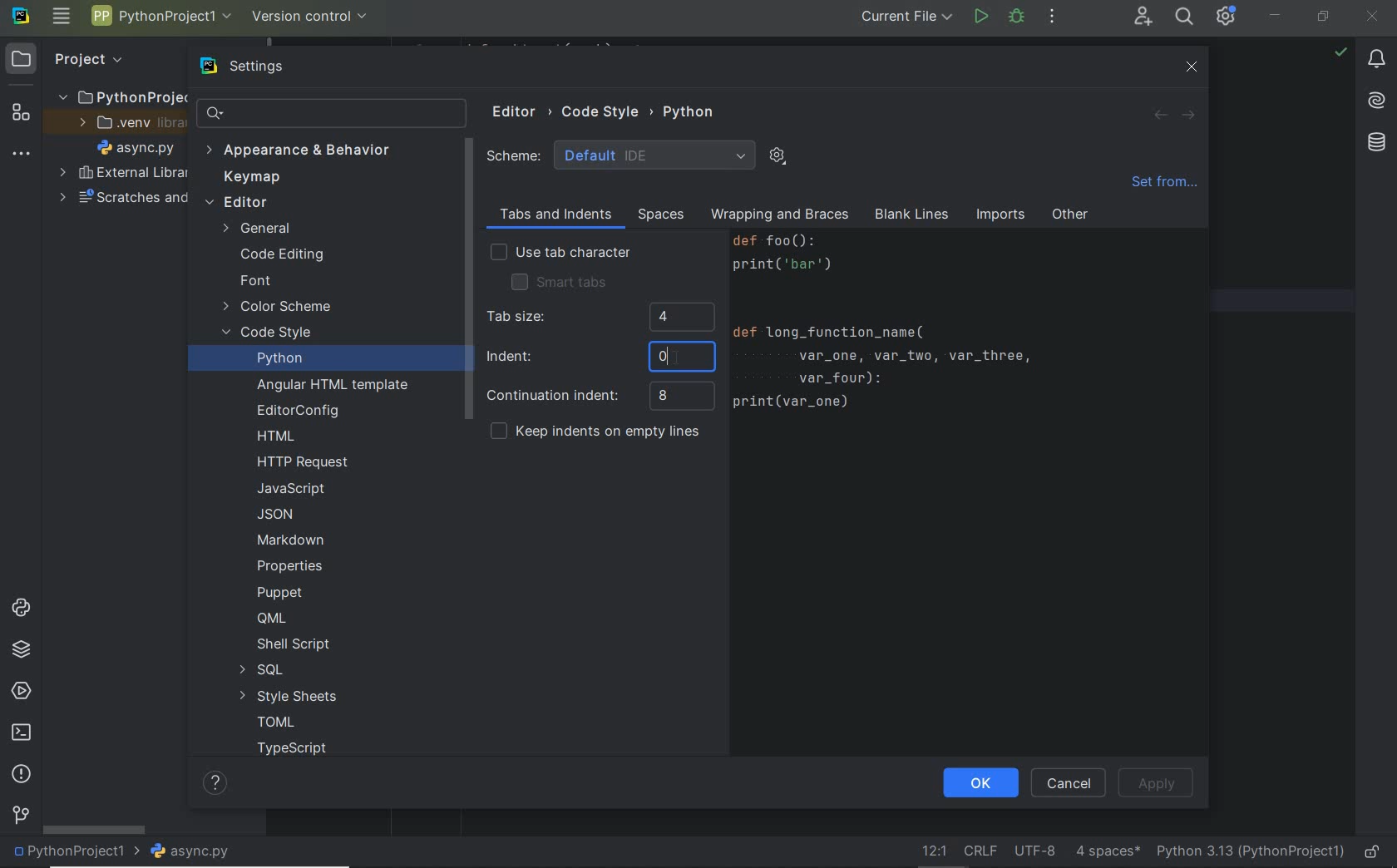 This screenshot has width=1397, height=868. I want to click on main menu, so click(63, 16).